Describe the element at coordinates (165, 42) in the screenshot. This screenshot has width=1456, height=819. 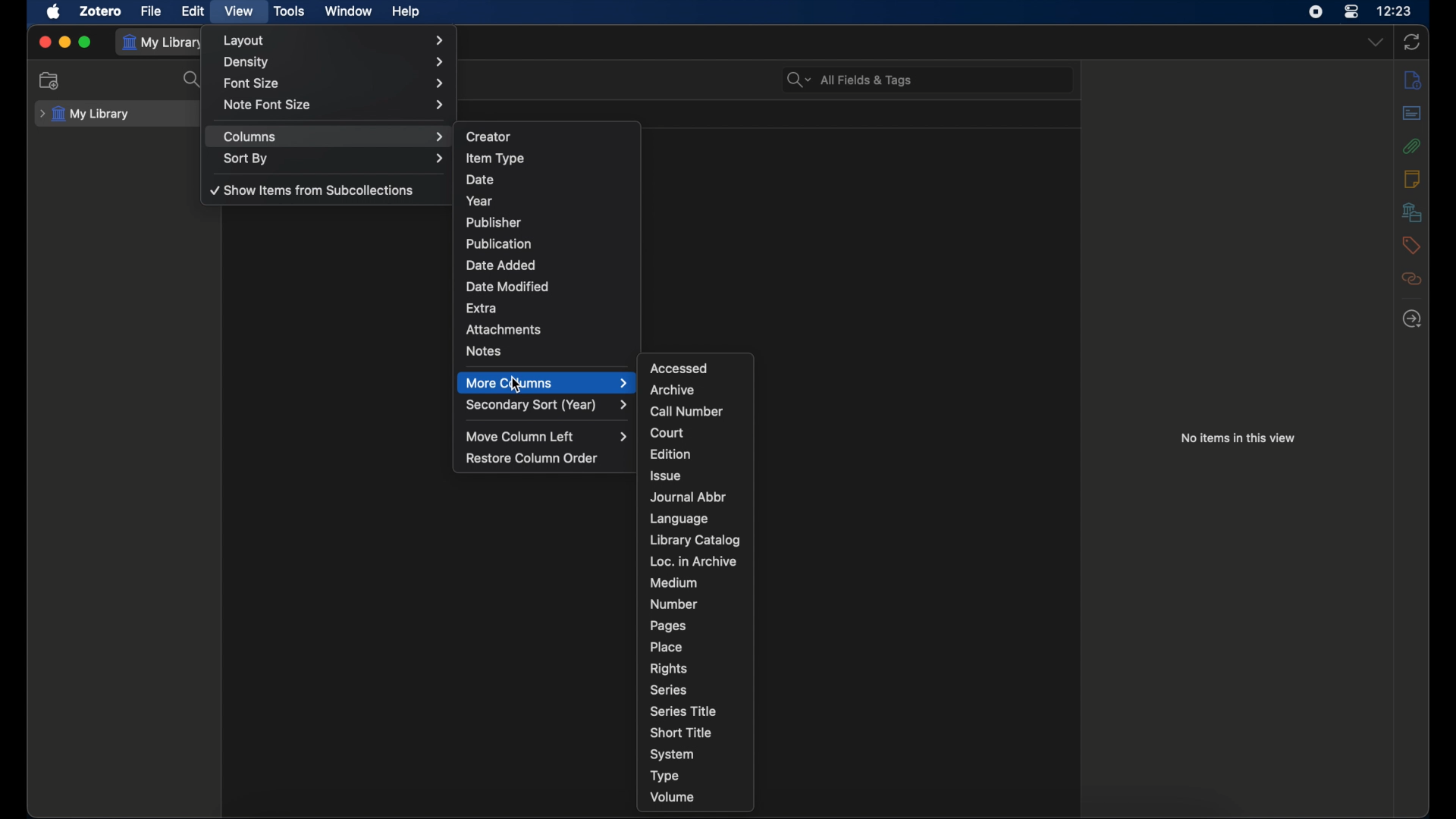
I see `my library` at that location.